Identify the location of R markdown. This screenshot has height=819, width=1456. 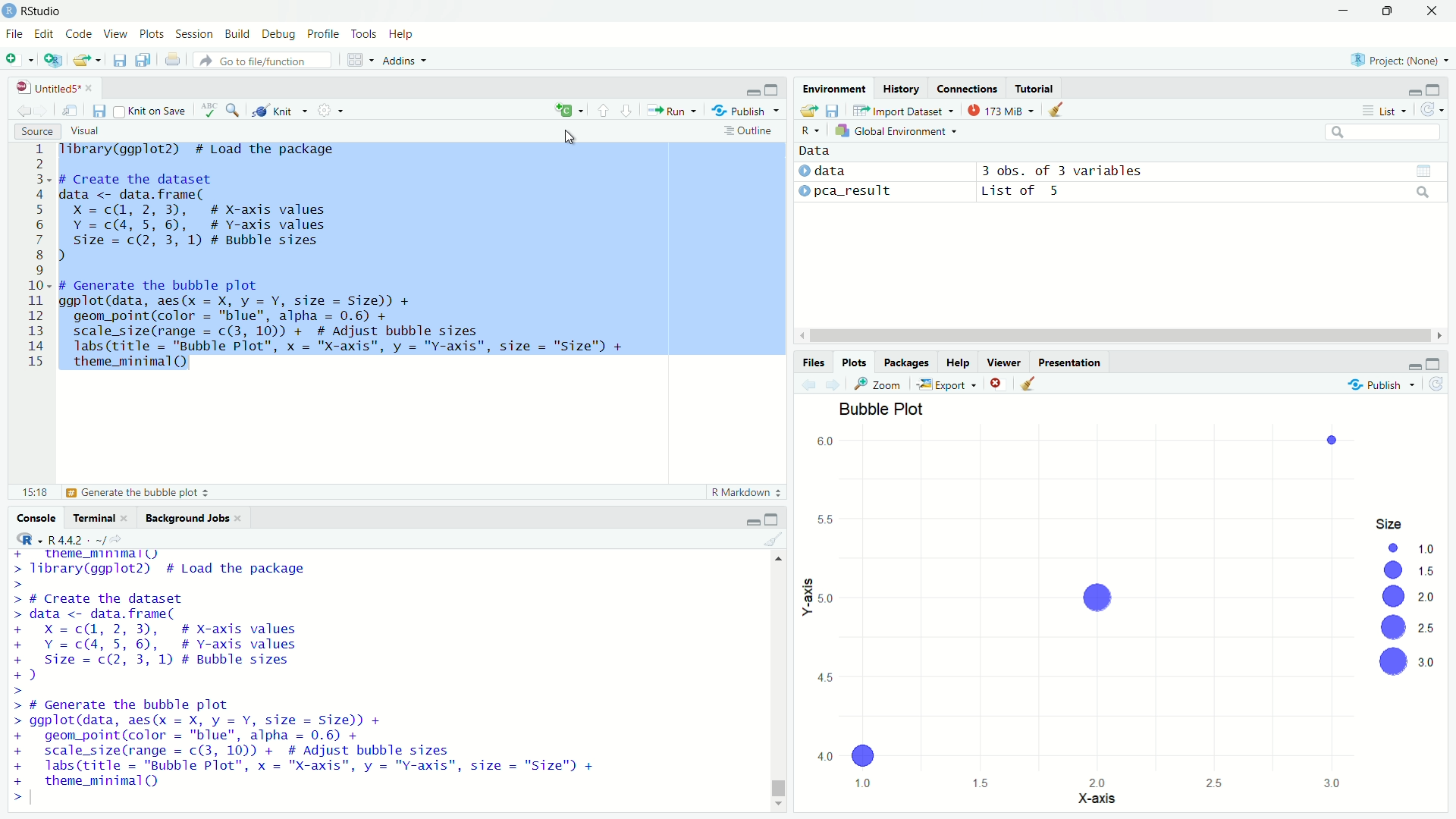
(747, 492).